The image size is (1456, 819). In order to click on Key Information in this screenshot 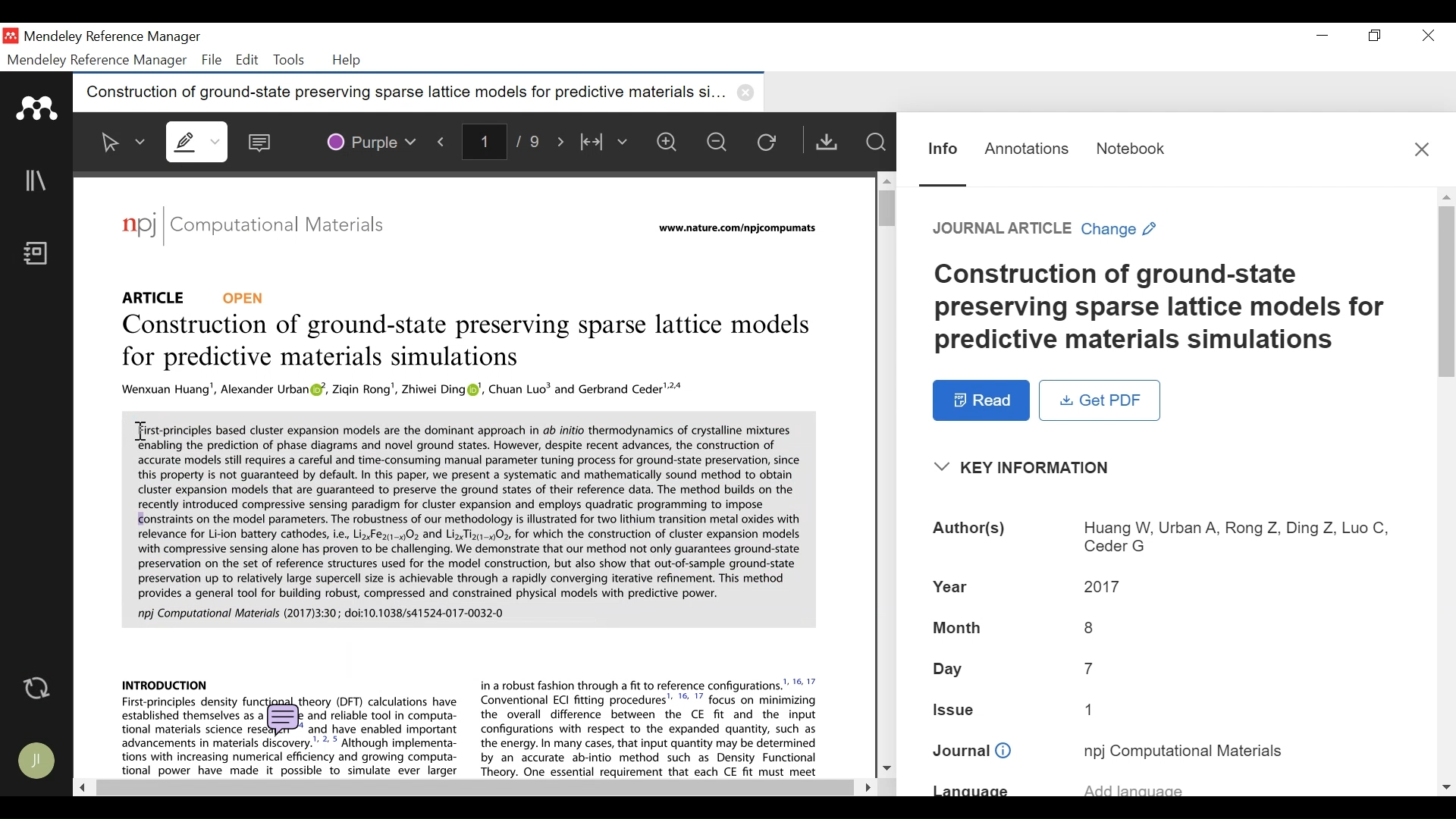, I will do `click(1027, 468)`.